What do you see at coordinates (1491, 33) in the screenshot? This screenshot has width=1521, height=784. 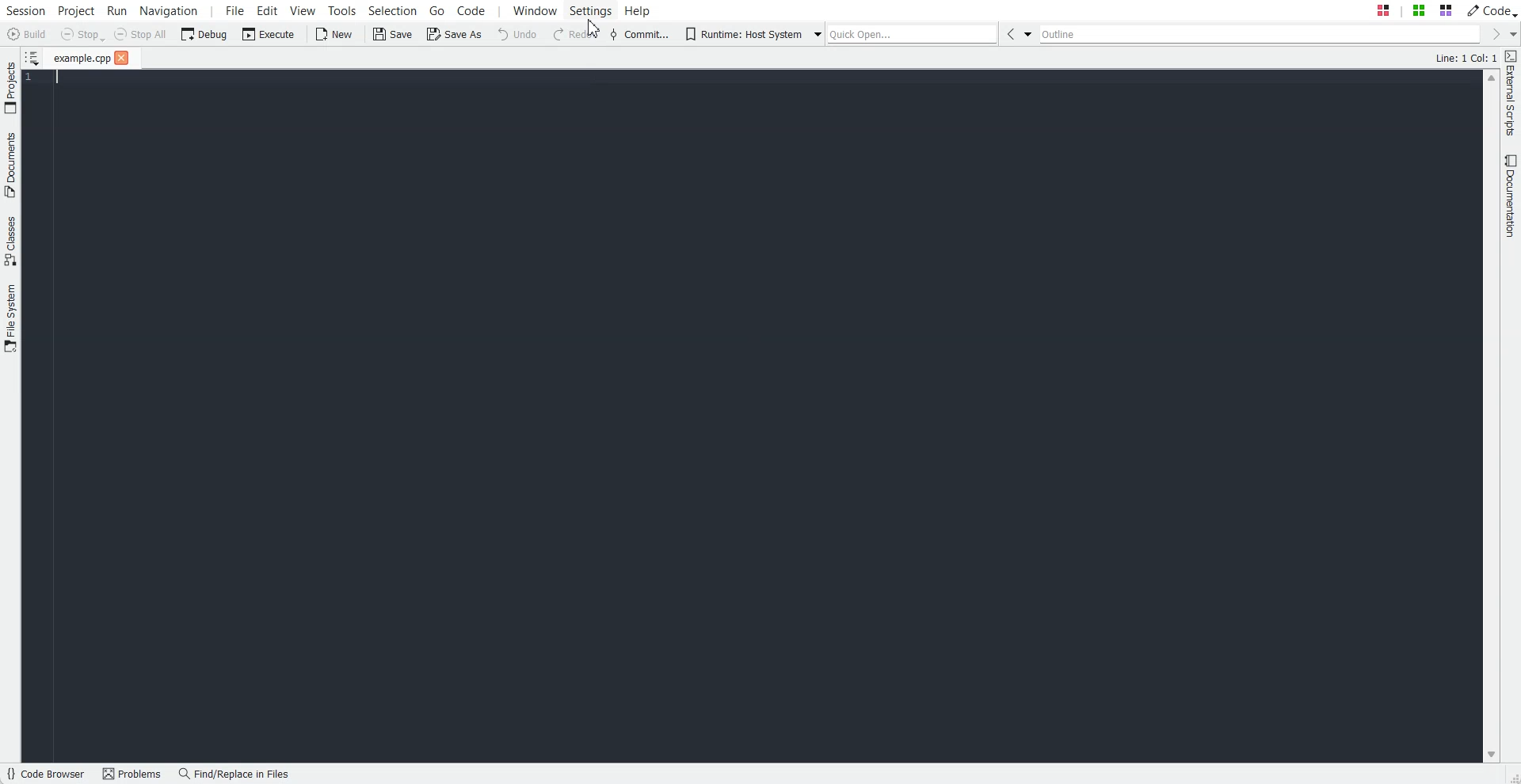 I see `Go Forward` at bounding box center [1491, 33].